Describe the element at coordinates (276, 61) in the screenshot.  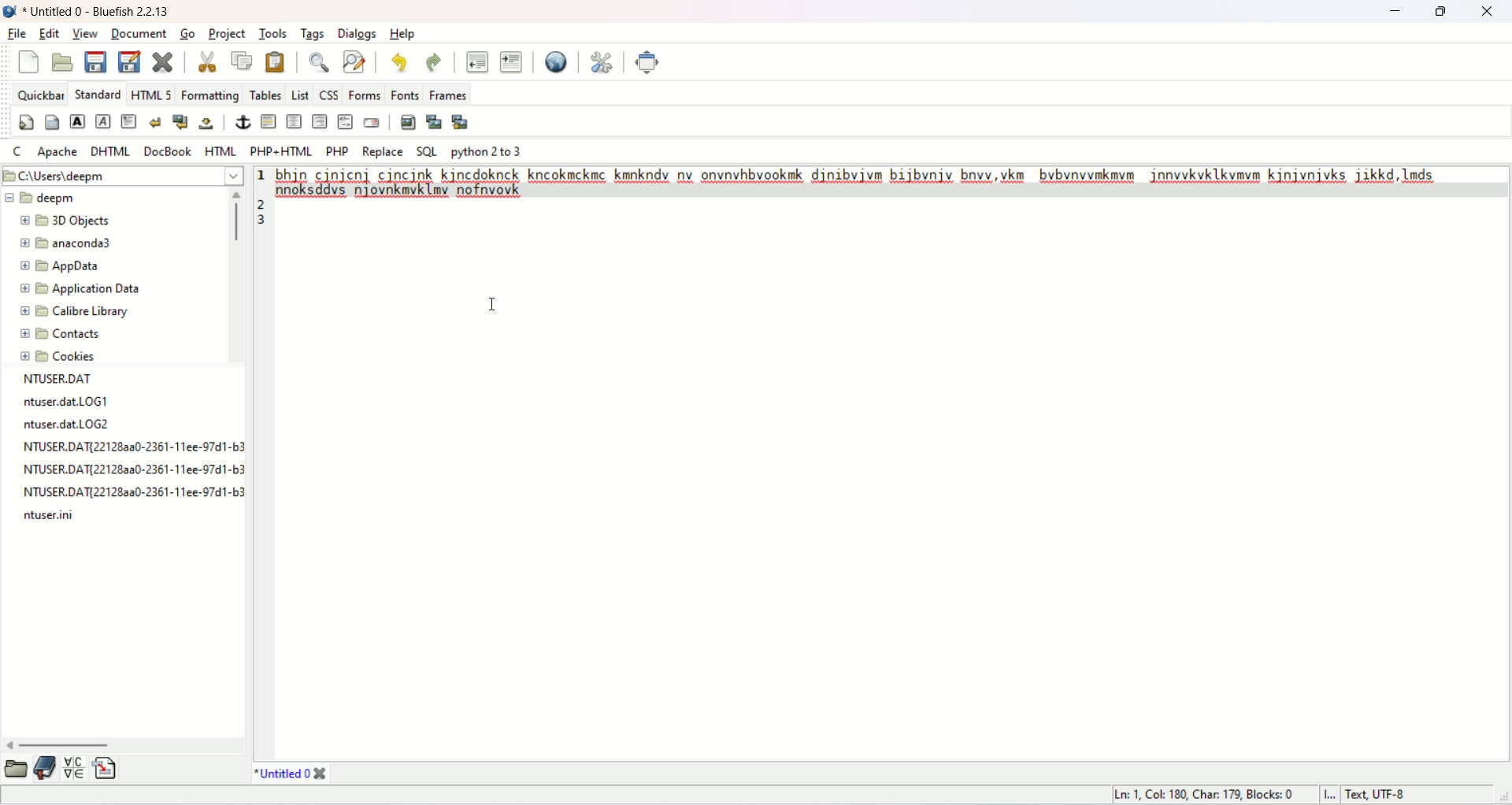
I see `paste` at that location.